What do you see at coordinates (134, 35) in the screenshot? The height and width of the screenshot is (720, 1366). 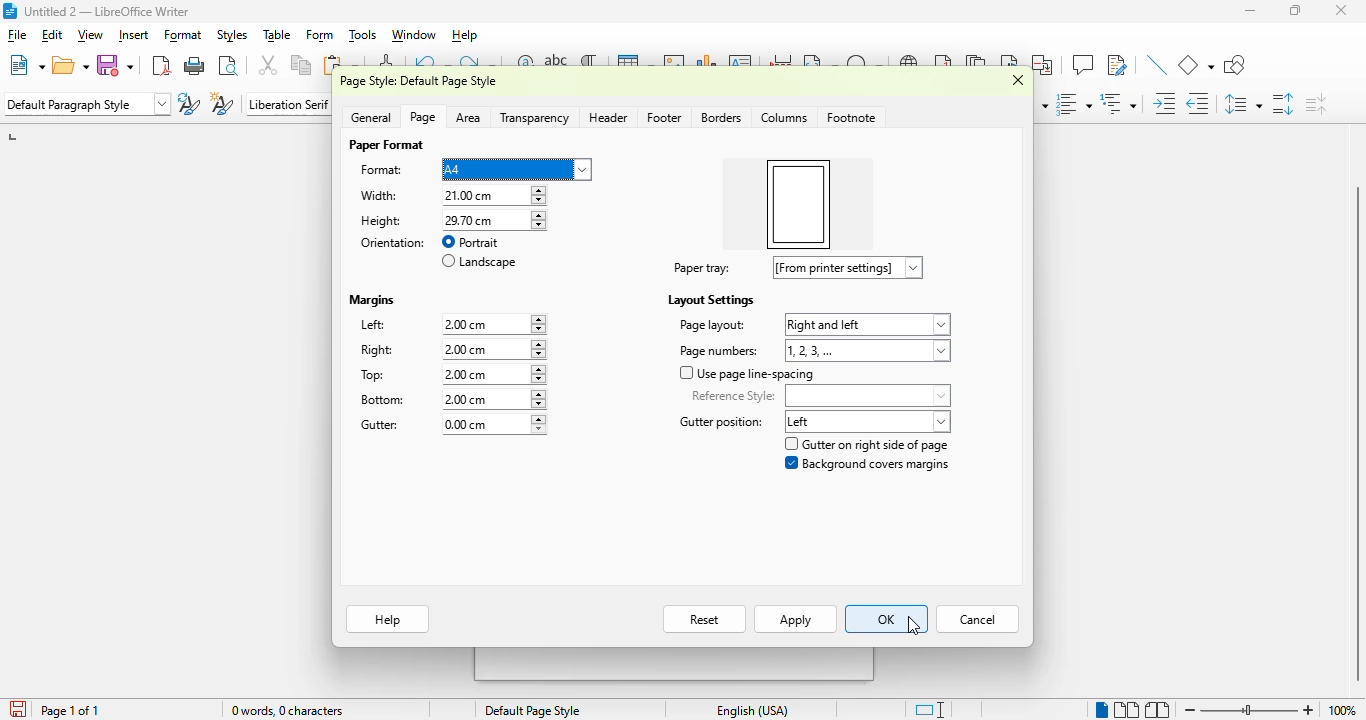 I see `insert` at bounding box center [134, 35].